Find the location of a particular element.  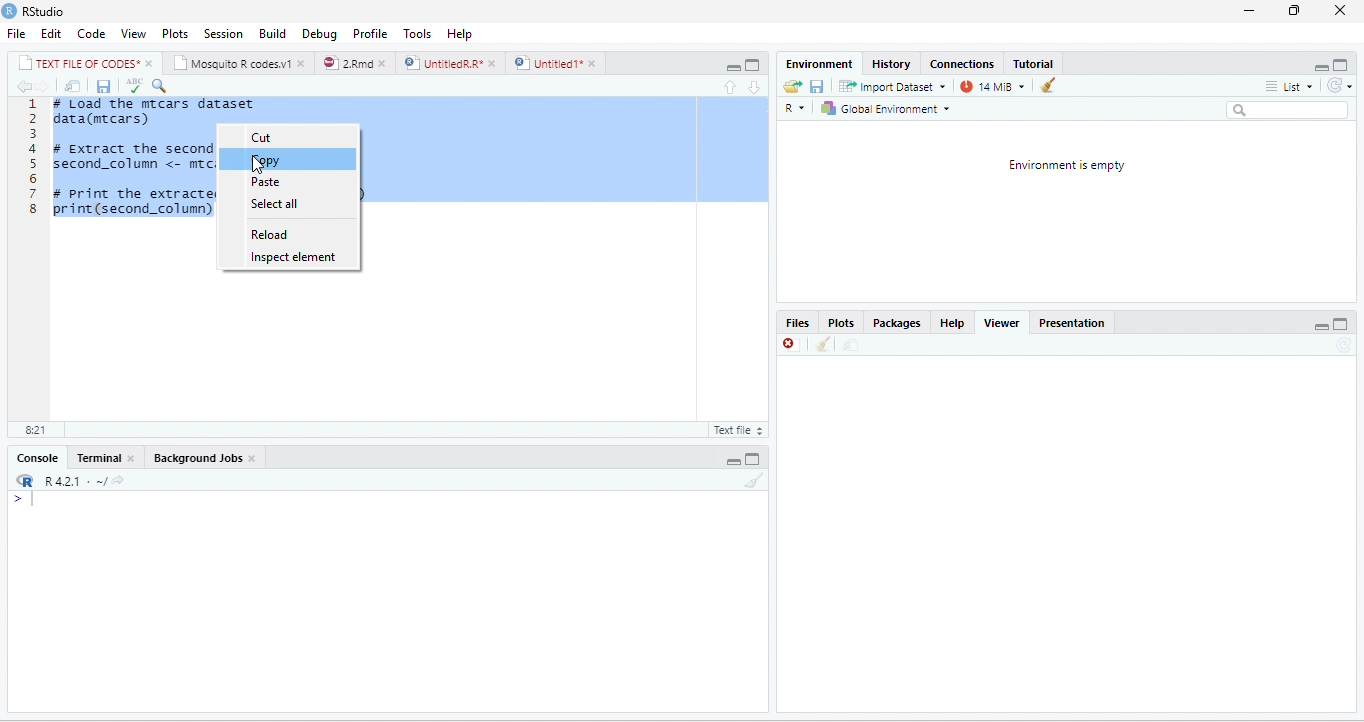

‘Background Jobs is located at coordinates (195, 457).